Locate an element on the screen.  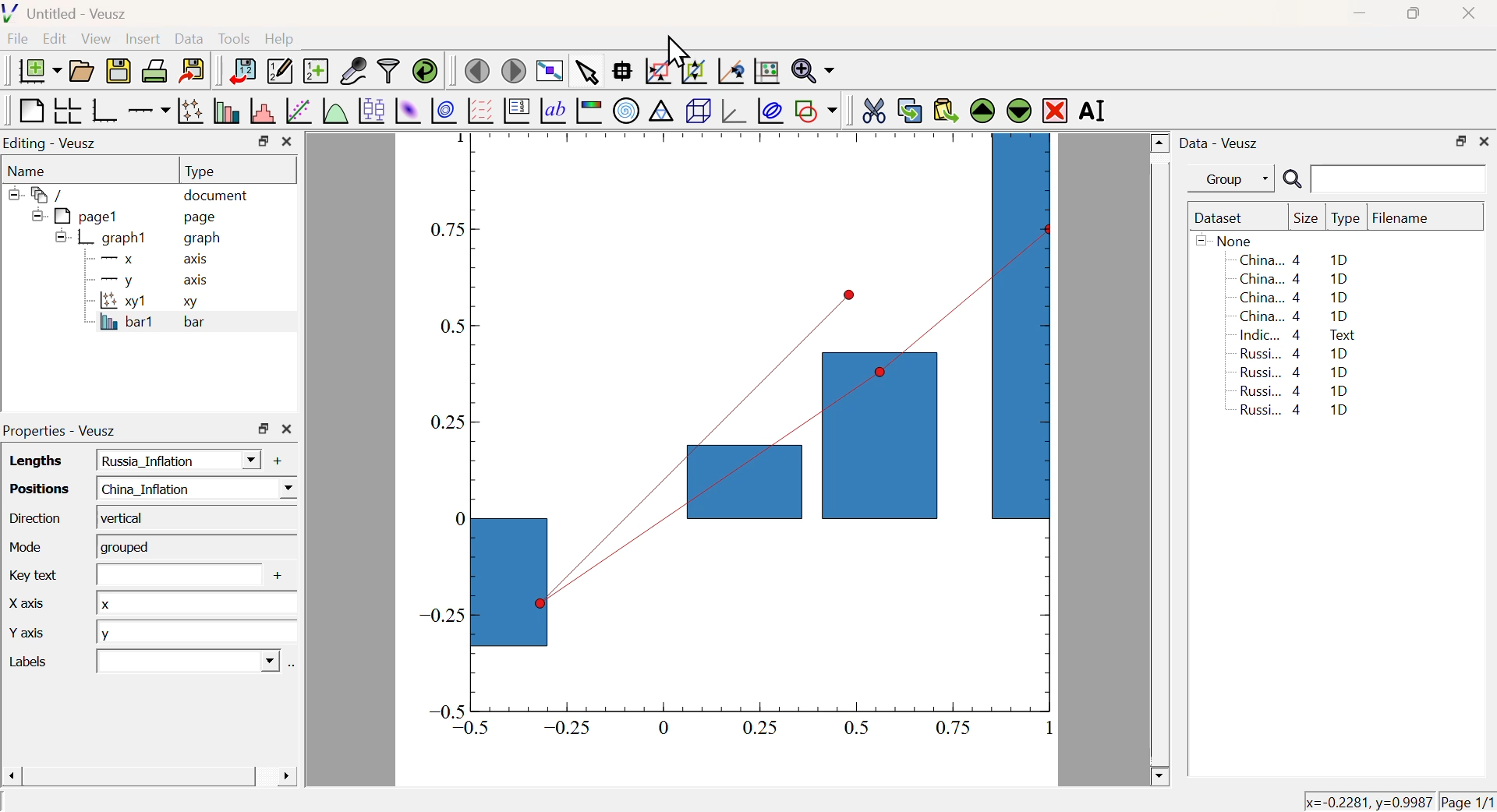
Plot Vector Field is located at coordinates (478, 110).